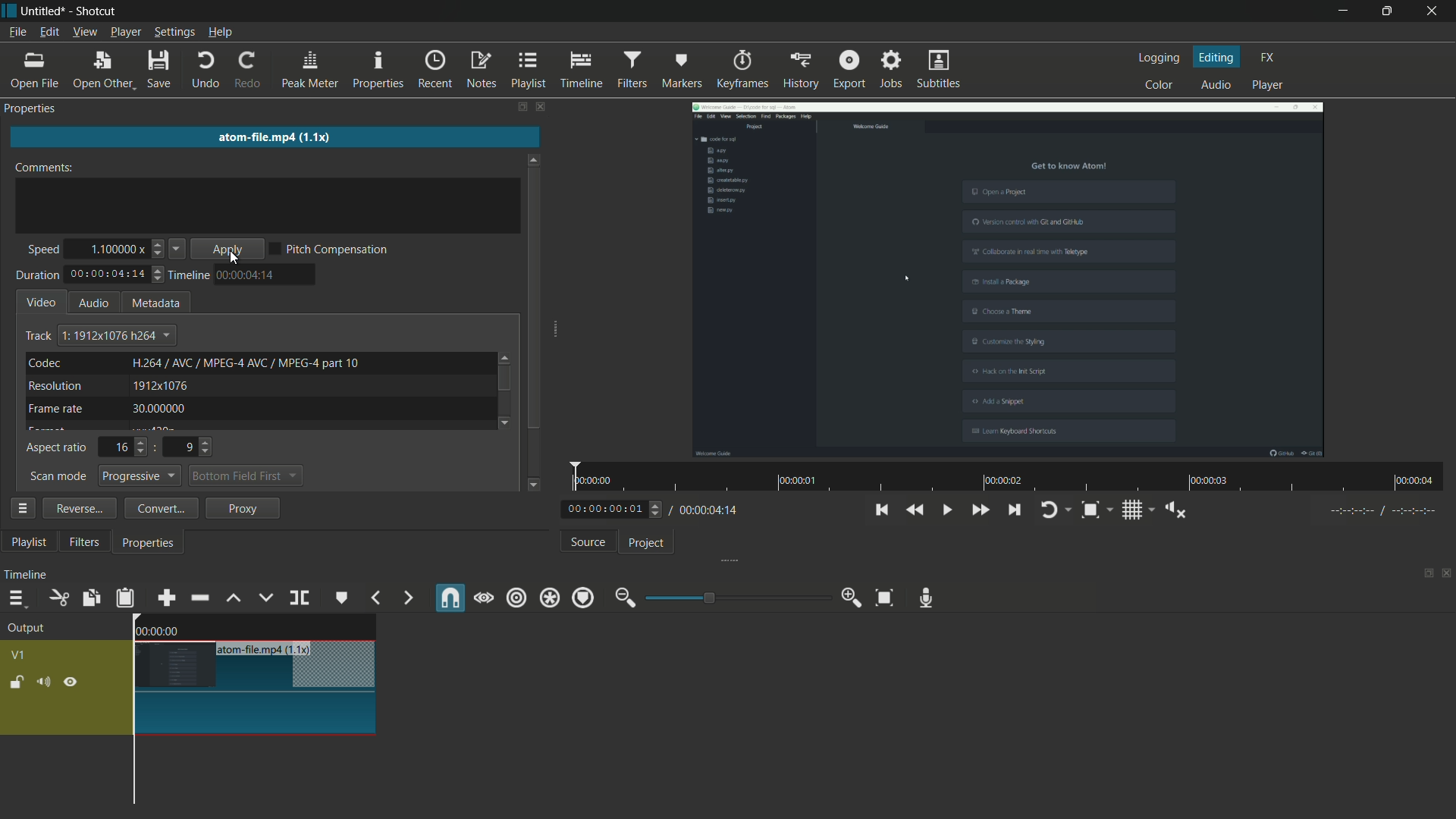 The width and height of the screenshot is (1456, 819). I want to click on toggle zoom, so click(1090, 510).